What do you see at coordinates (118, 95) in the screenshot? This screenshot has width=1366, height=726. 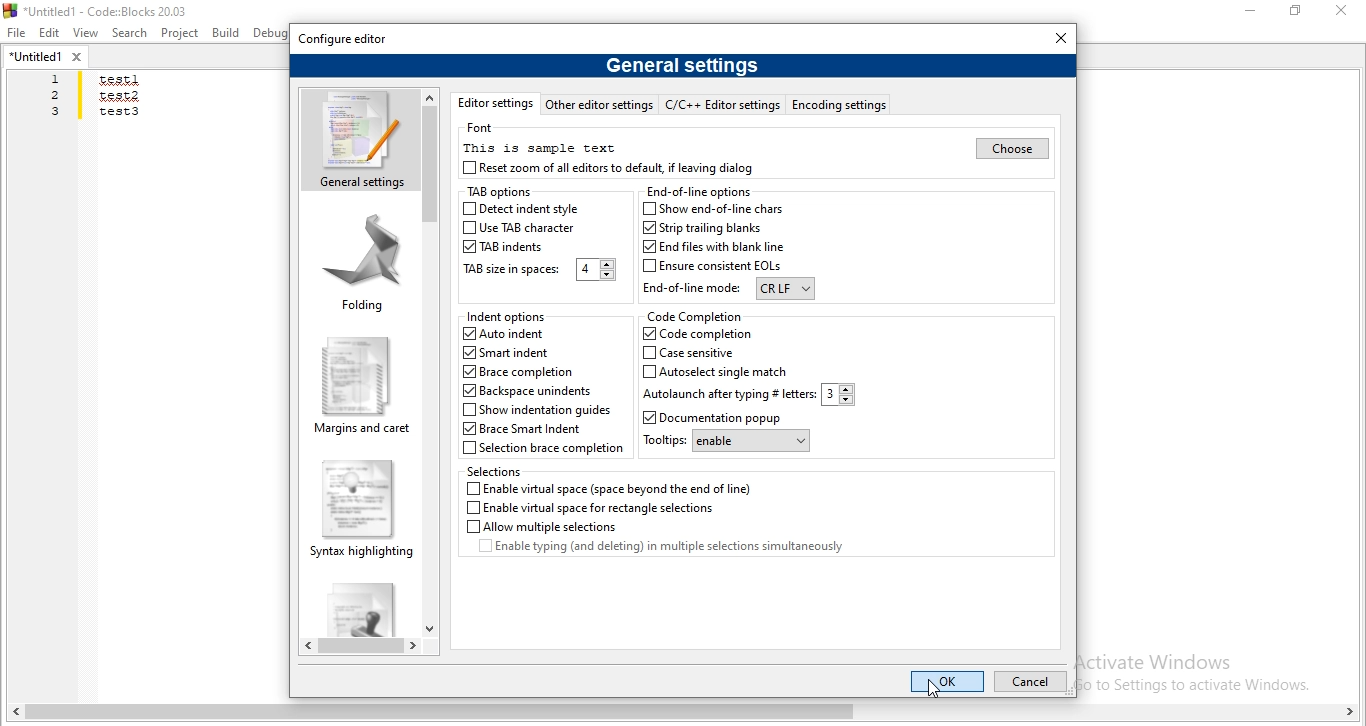 I see `test2` at bounding box center [118, 95].